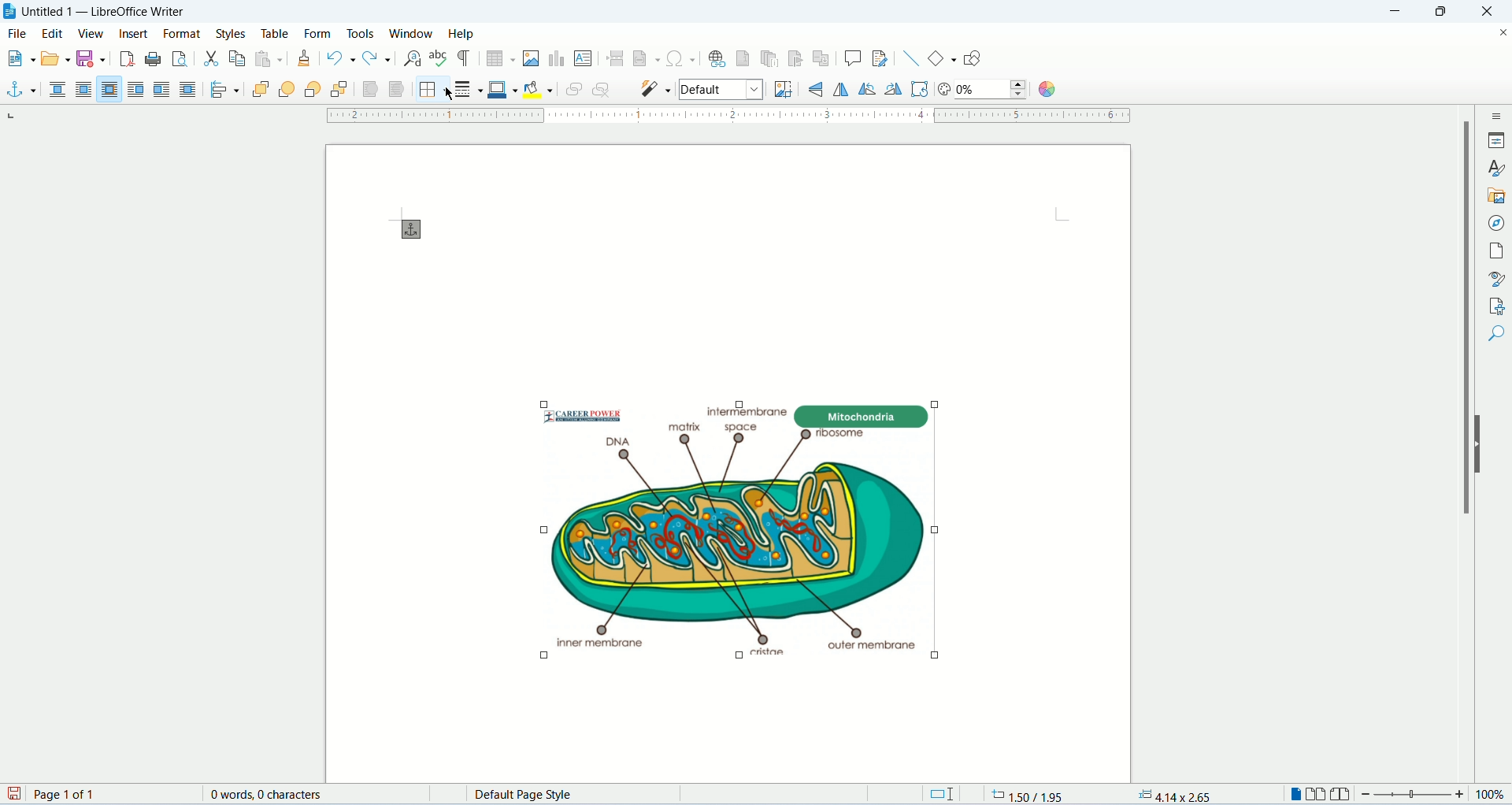 This screenshot has width=1512, height=805. I want to click on optimal, so click(109, 88).